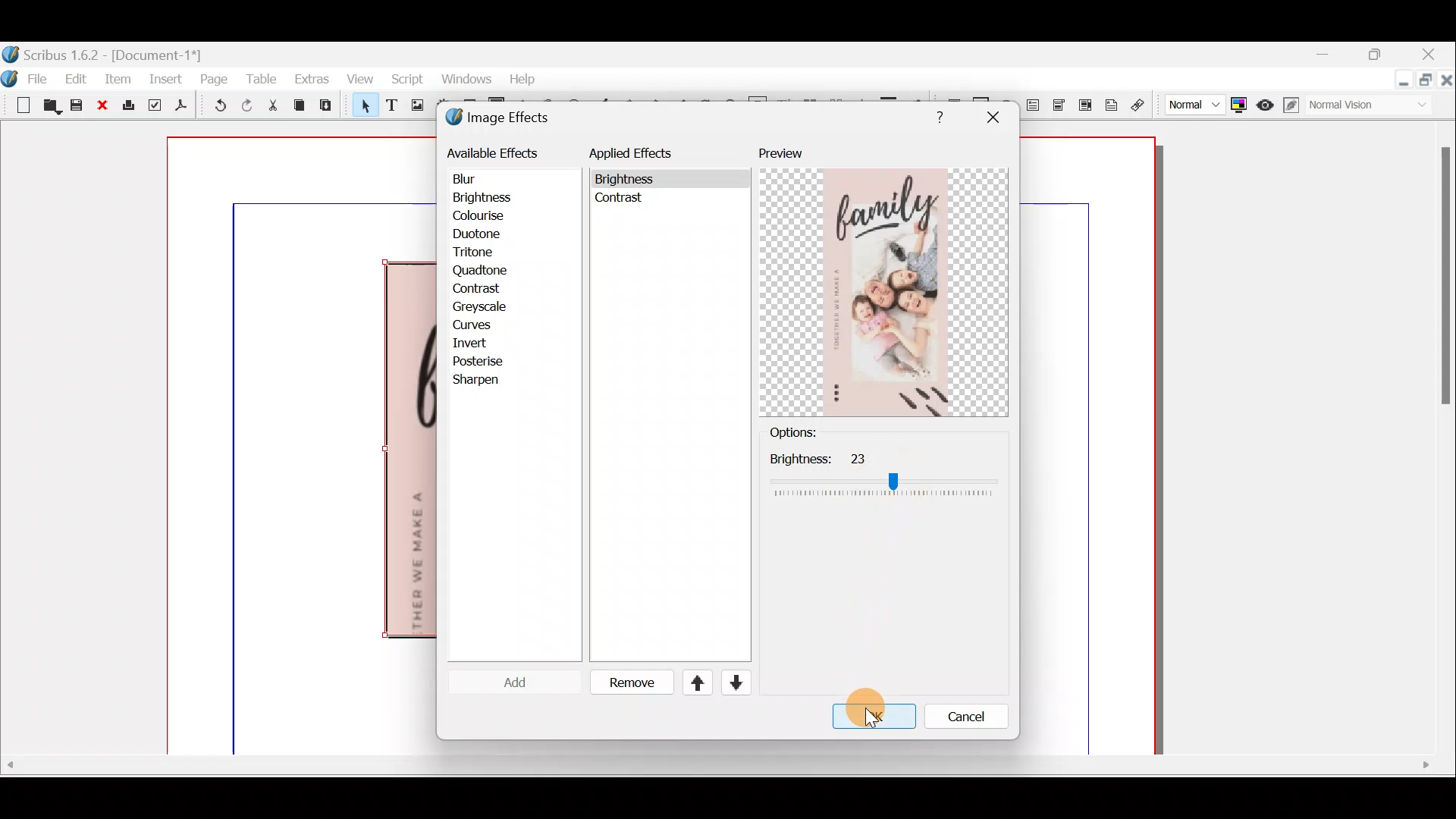 The width and height of the screenshot is (1456, 819). Describe the element at coordinates (484, 381) in the screenshot. I see `Sharpen` at that location.